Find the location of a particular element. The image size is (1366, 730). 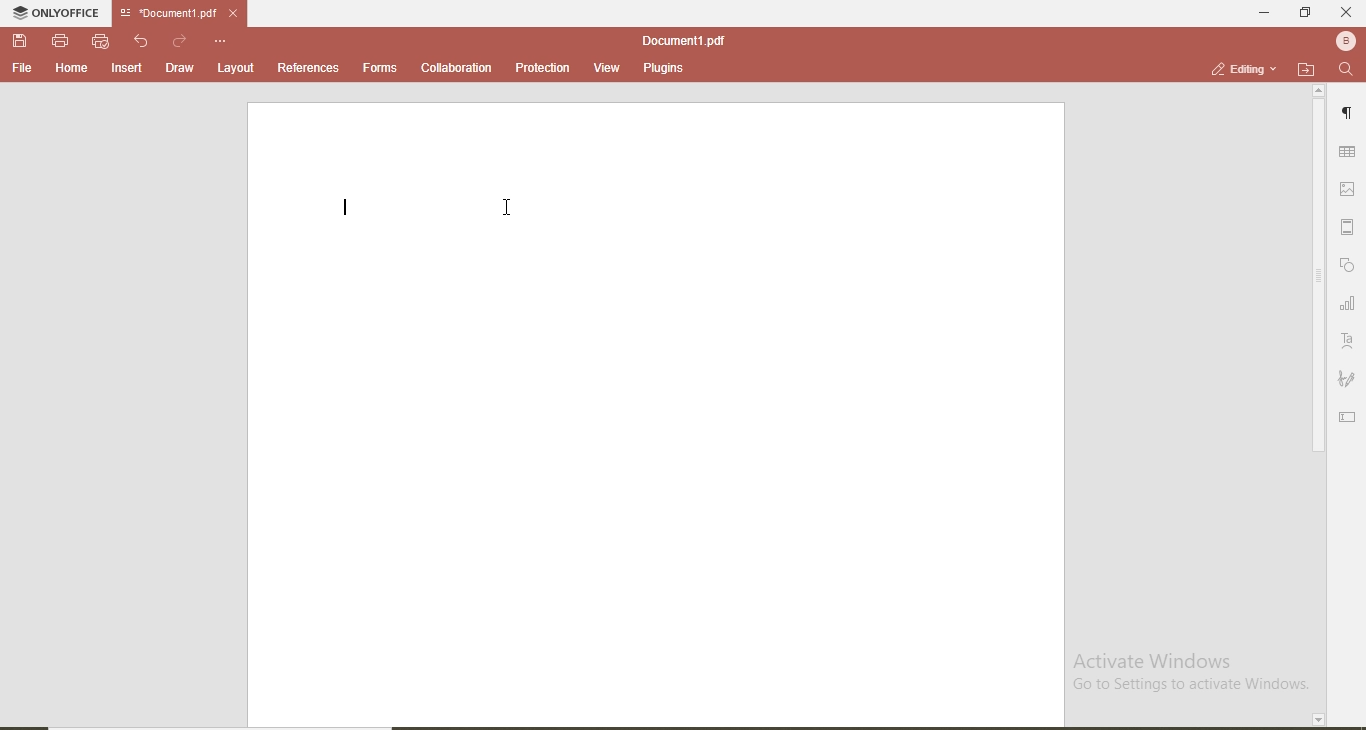

collaboration is located at coordinates (458, 67).